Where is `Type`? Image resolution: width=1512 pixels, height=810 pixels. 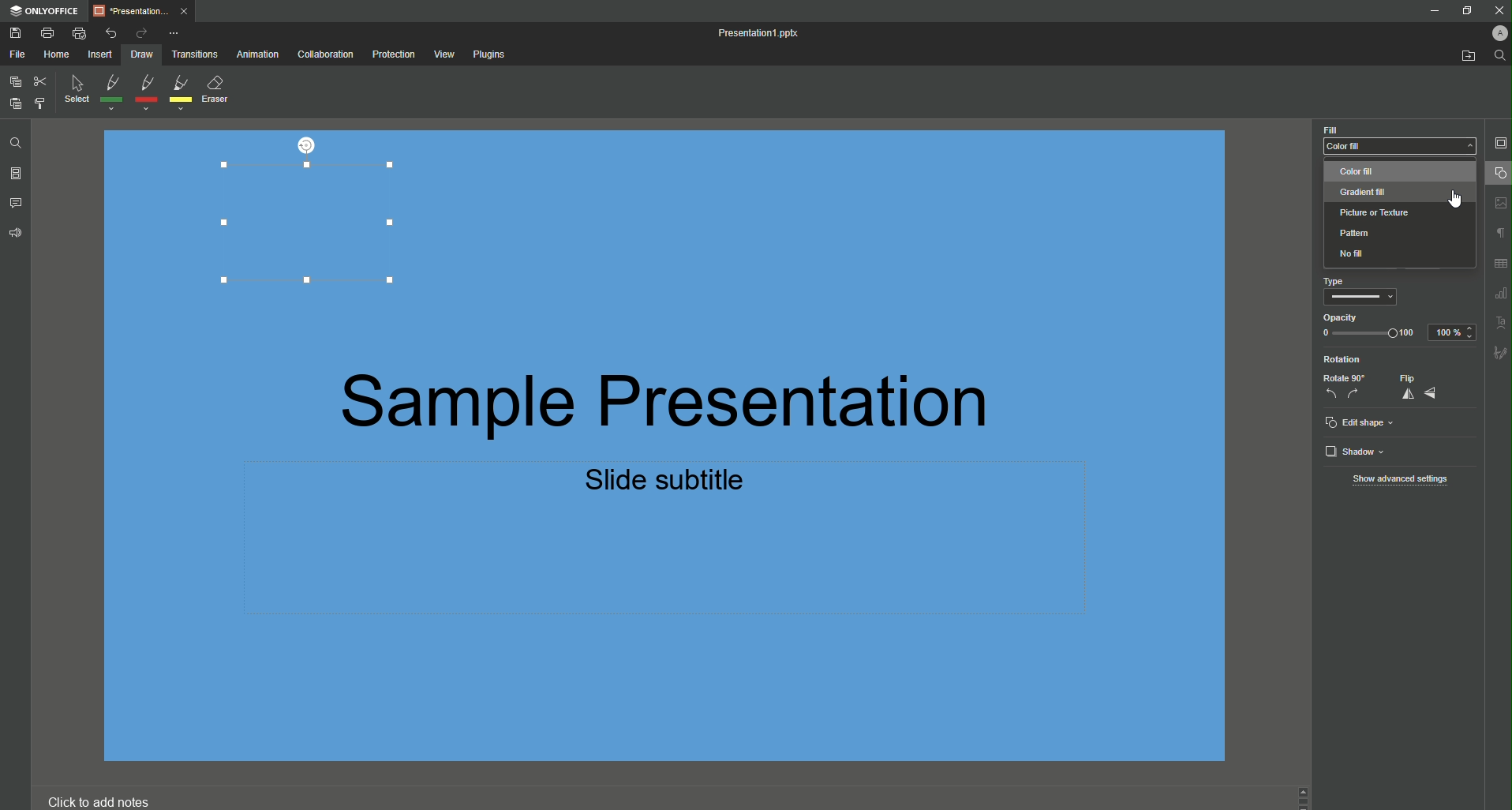 Type is located at coordinates (1361, 292).